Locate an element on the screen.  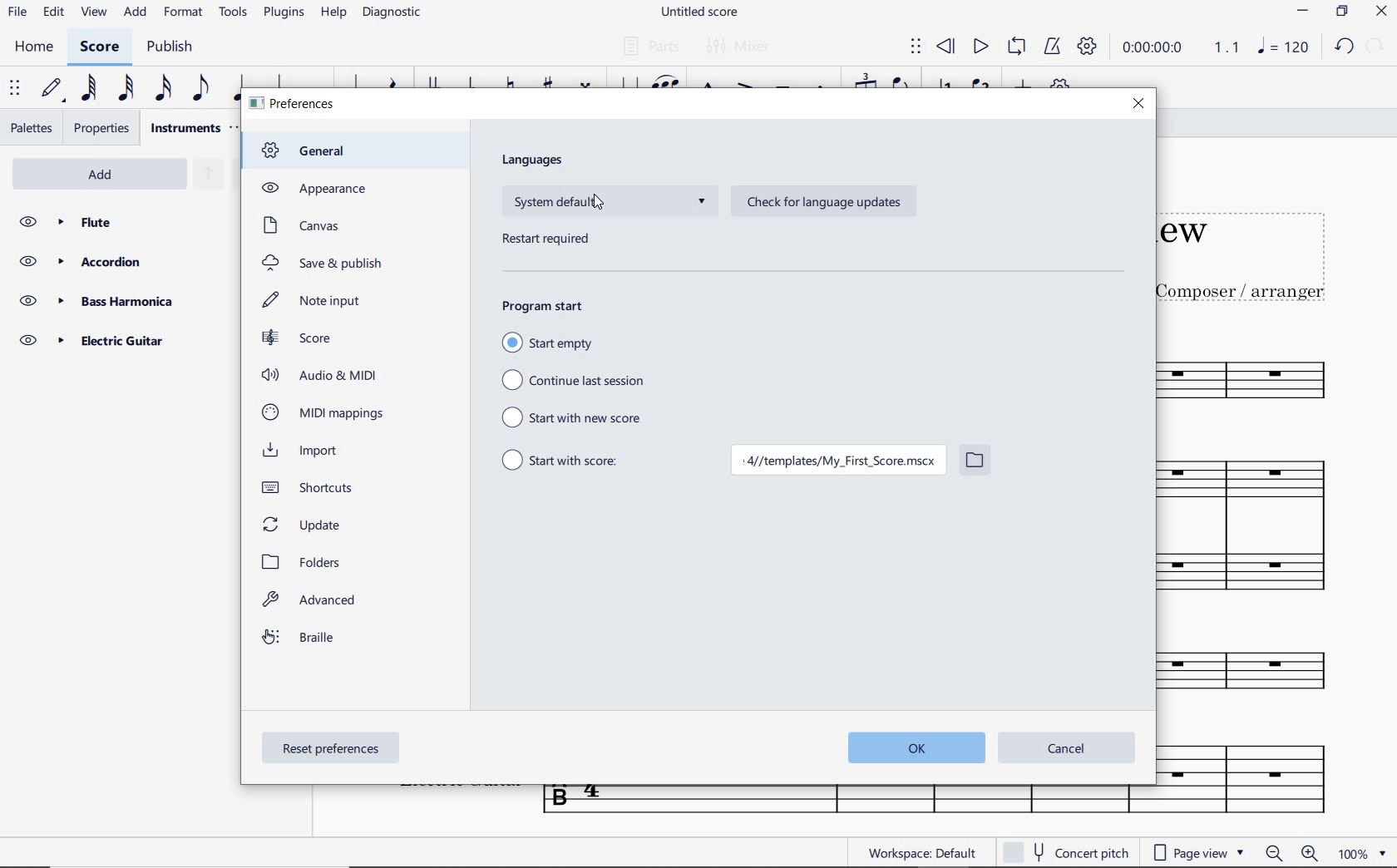
ADD is located at coordinates (106, 172).